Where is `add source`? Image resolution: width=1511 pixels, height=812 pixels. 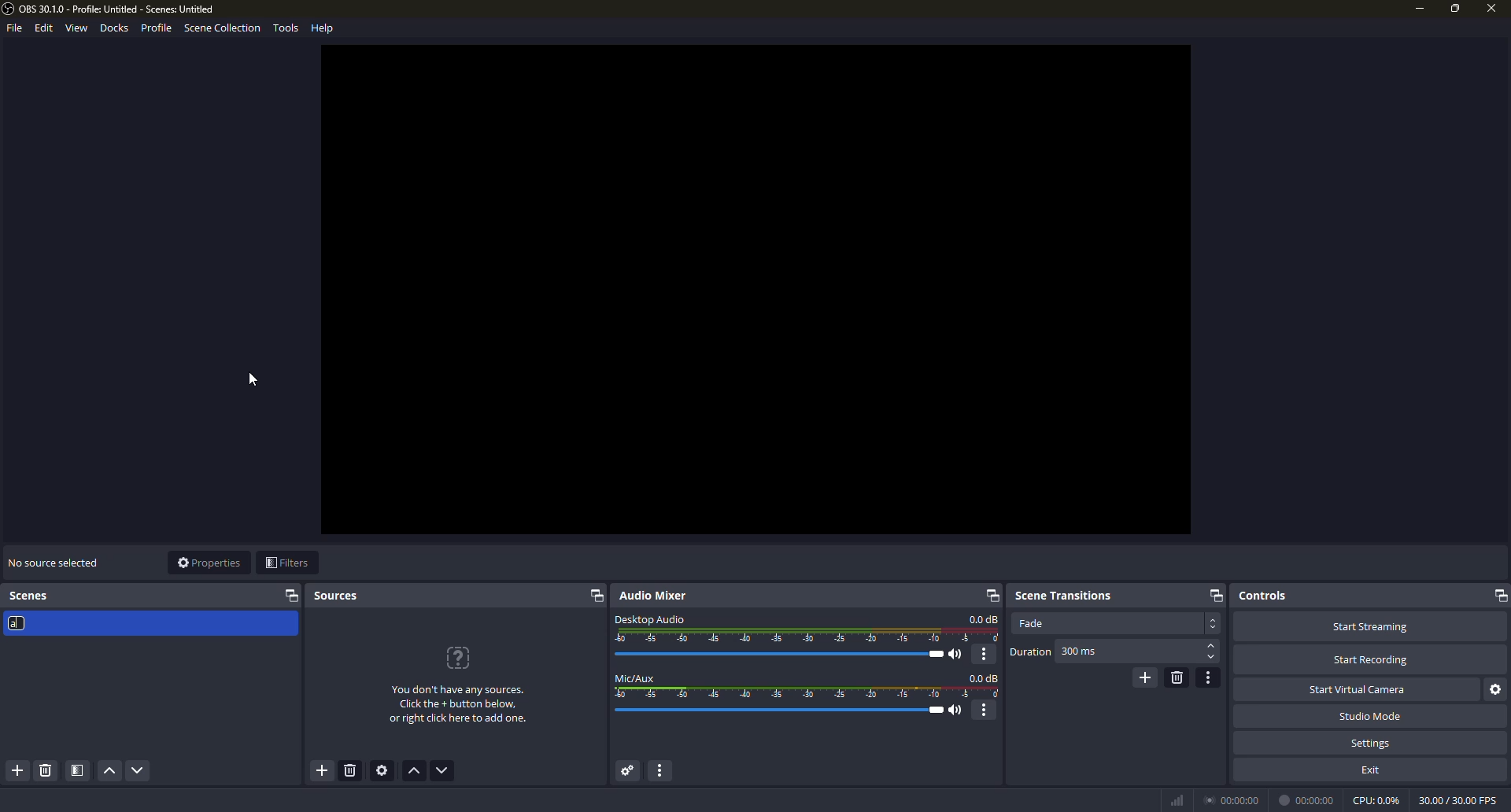
add source is located at coordinates (321, 771).